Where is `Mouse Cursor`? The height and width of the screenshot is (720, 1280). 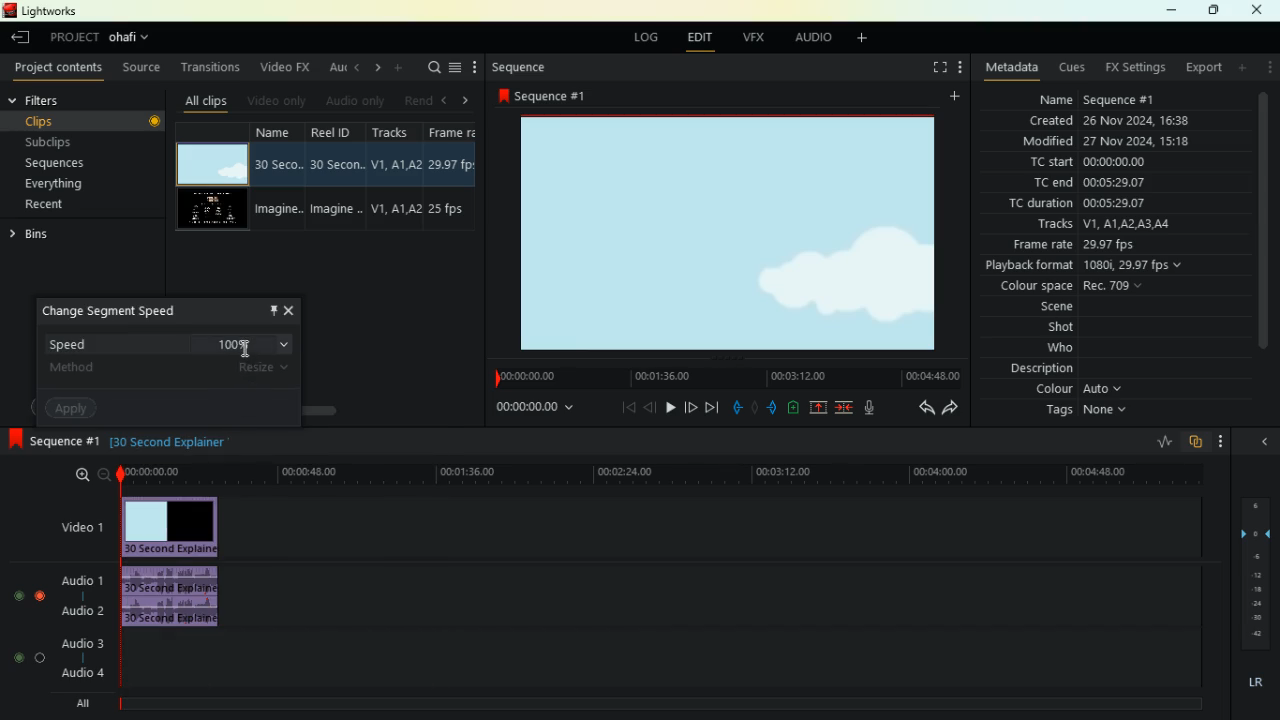 Mouse Cursor is located at coordinates (248, 352).